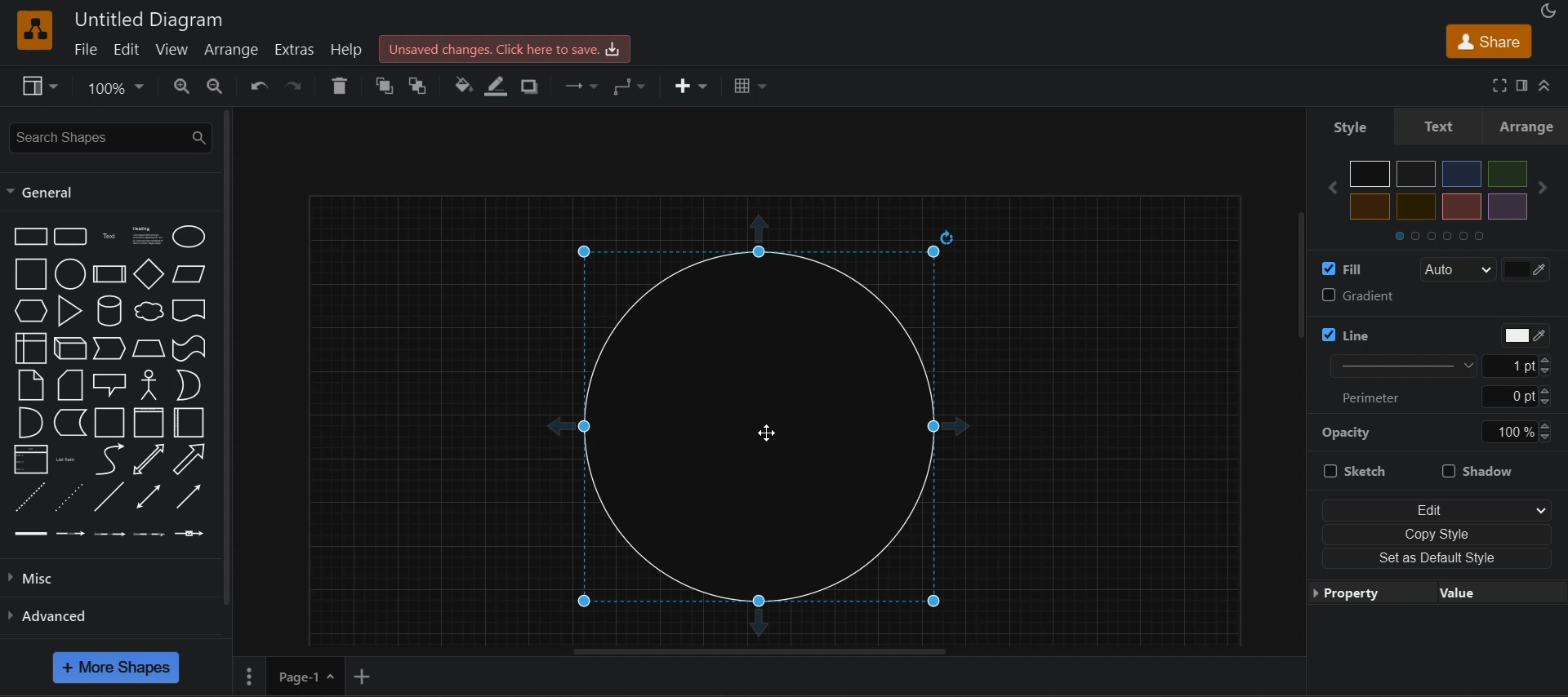  I want to click on text, so click(108, 238).